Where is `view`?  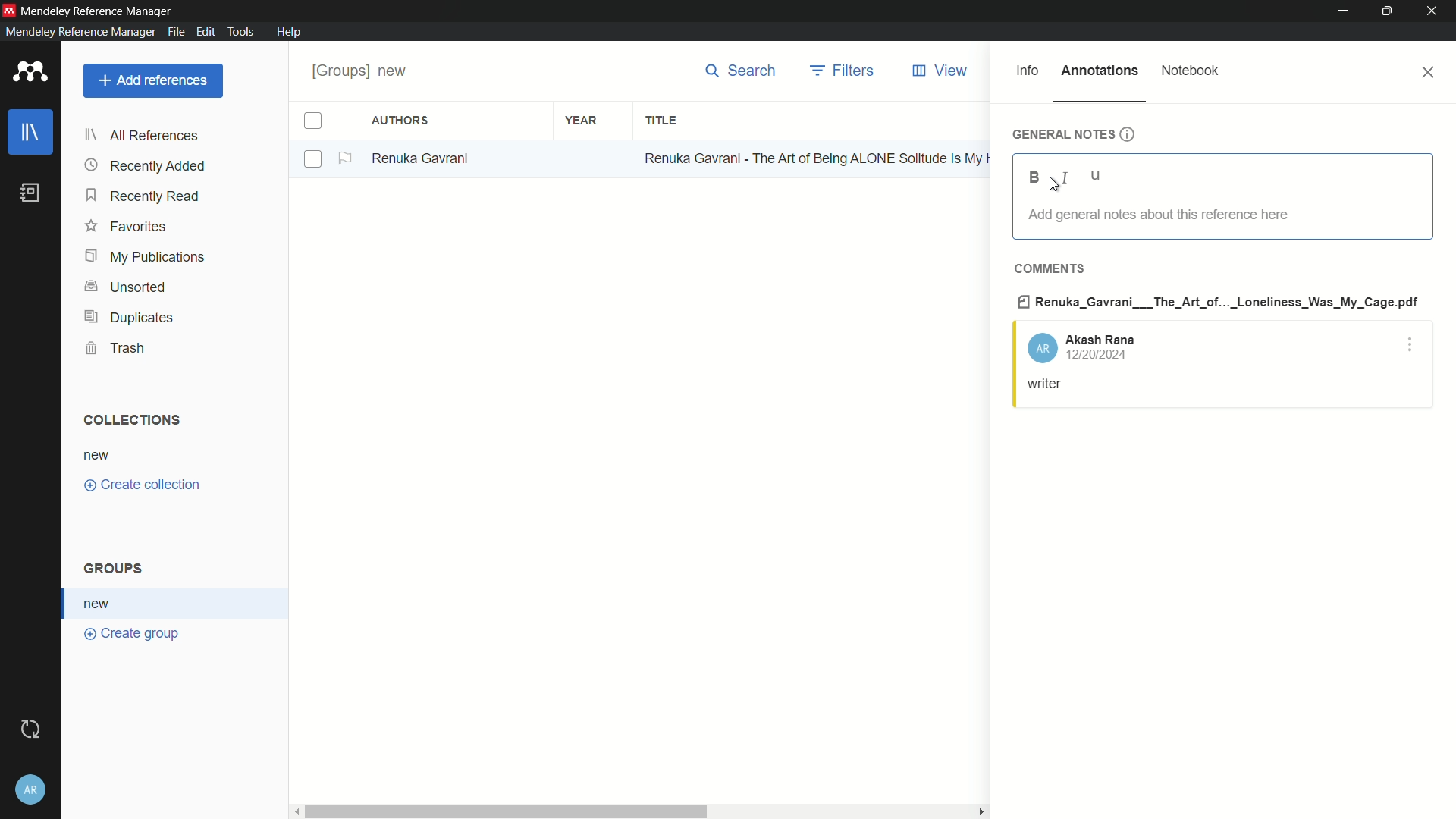
view is located at coordinates (943, 71).